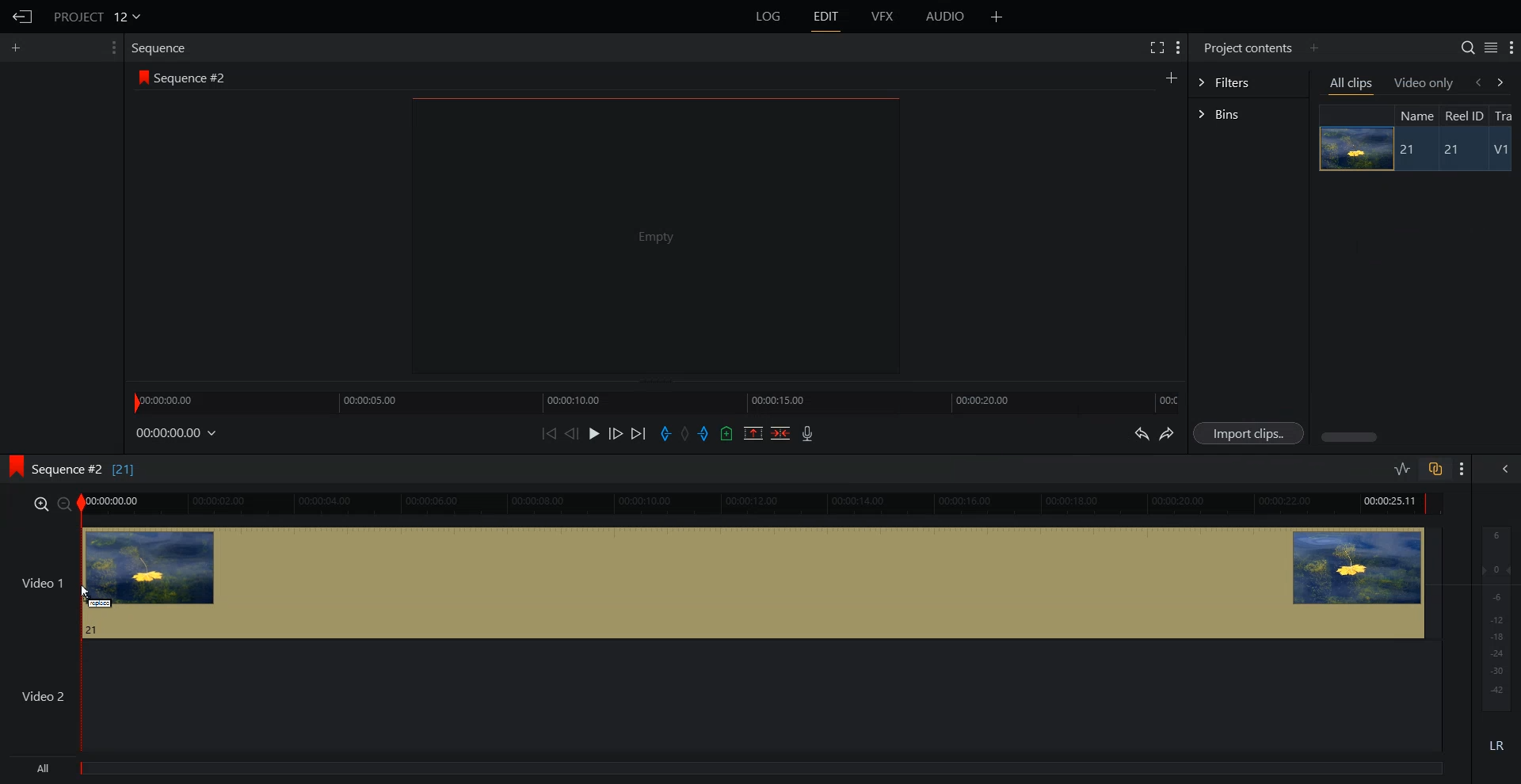 This screenshot has width=1521, height=784. I want to click on Search, so click(1468, 48).